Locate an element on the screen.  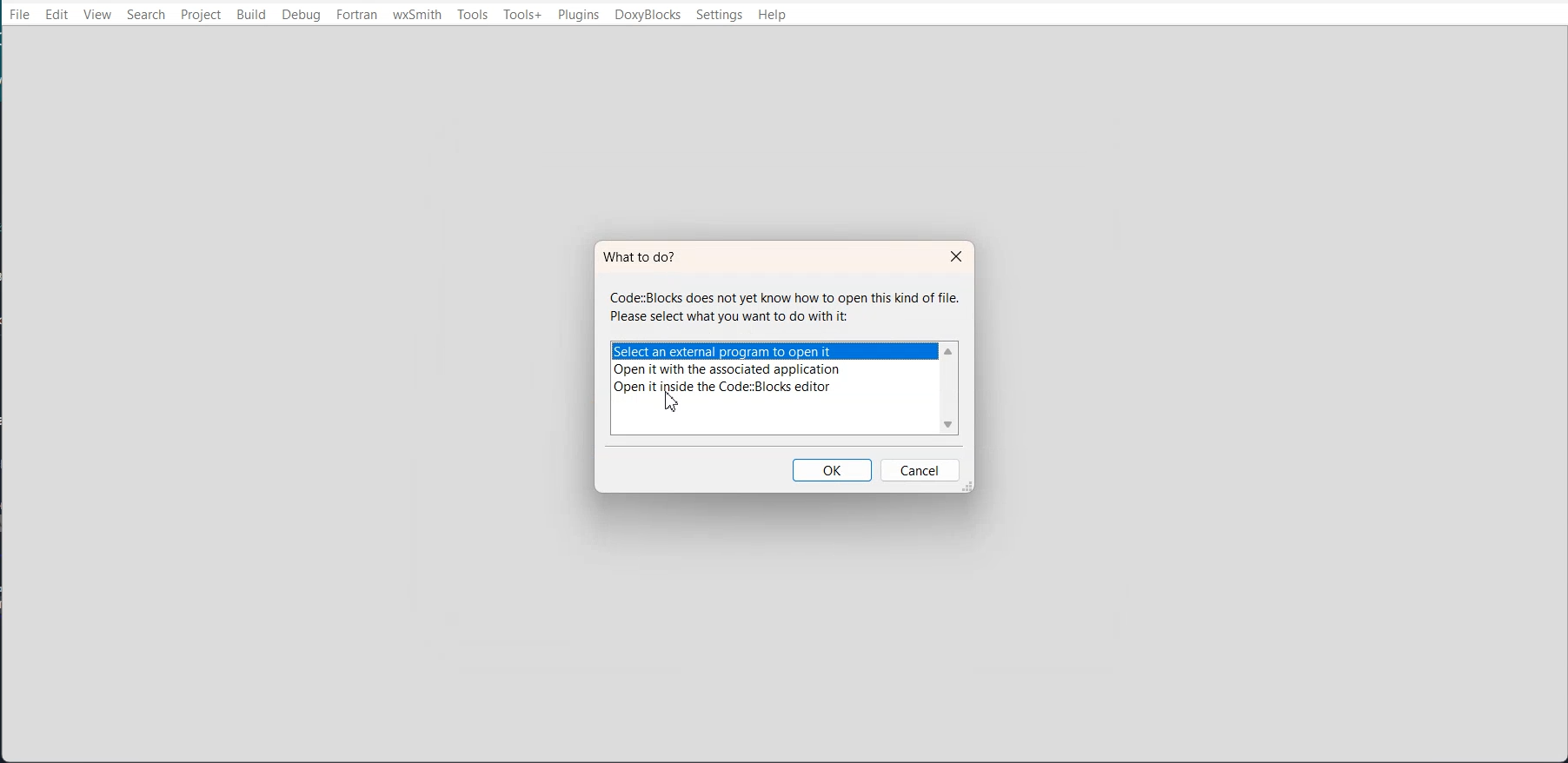
Code:Blocks does not yet know how to open this kind of file.
Please select what you want to do with it: is located at coordinates (781, 309).